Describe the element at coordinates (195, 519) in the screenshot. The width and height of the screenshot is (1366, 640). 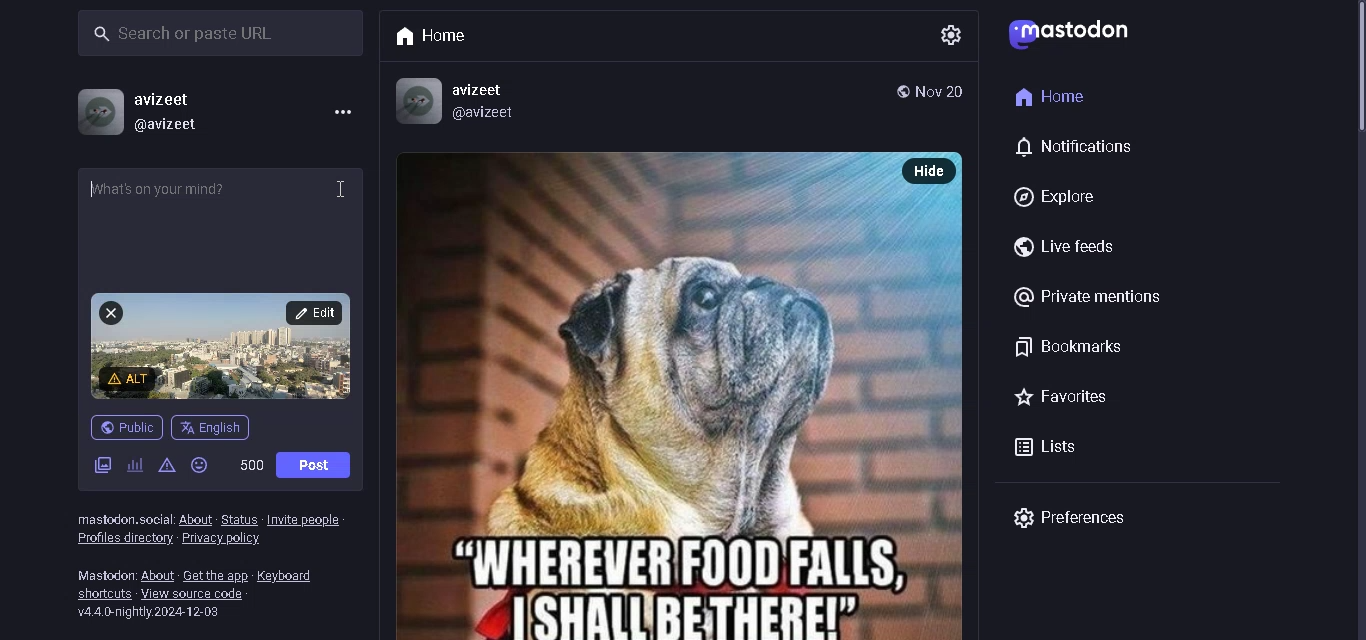
I see `about` at that location.